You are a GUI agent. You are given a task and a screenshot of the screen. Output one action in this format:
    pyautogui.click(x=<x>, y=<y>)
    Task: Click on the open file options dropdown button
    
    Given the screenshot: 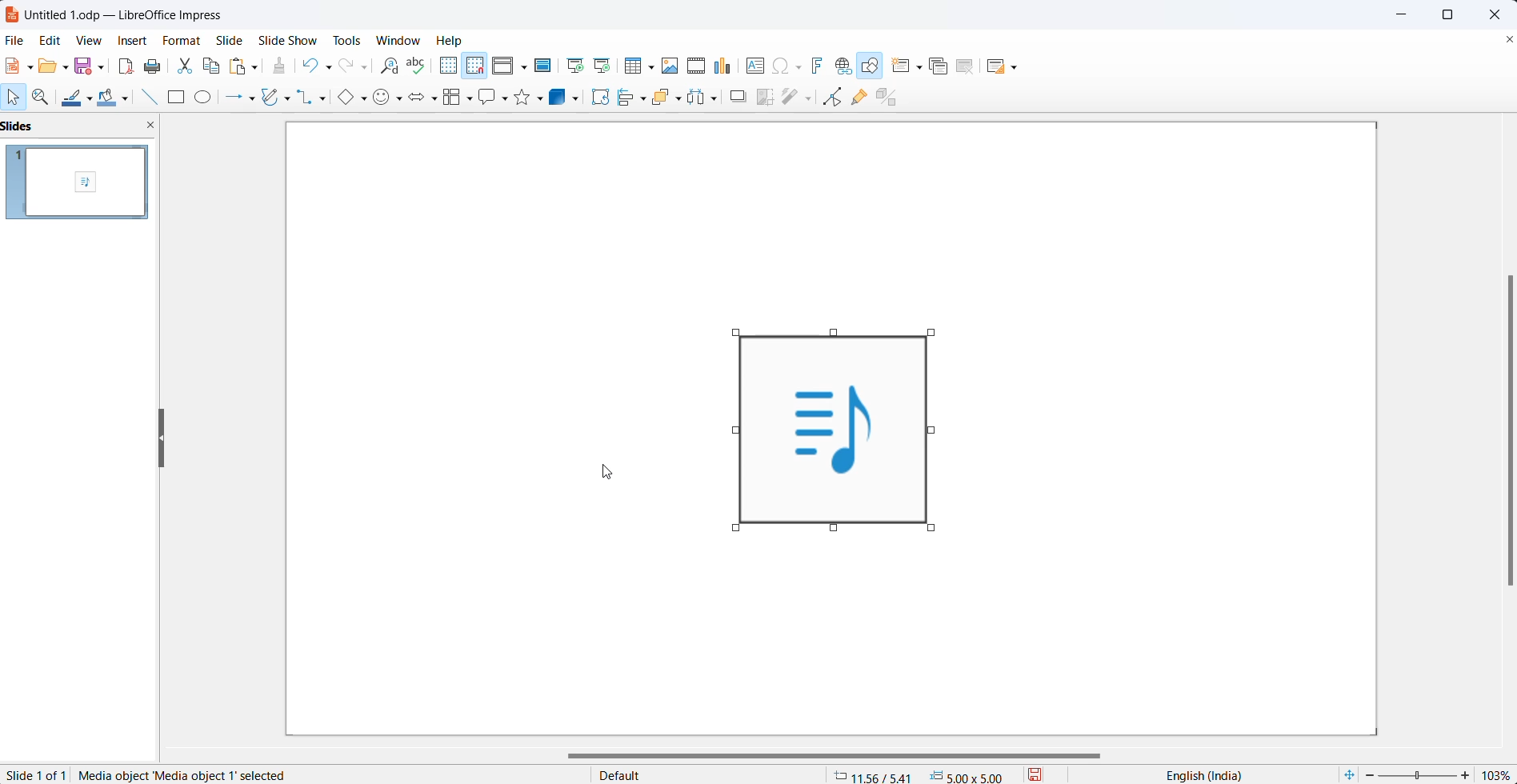 What is the action you would take?
    pyautogui.click(x=67, y=70)
    